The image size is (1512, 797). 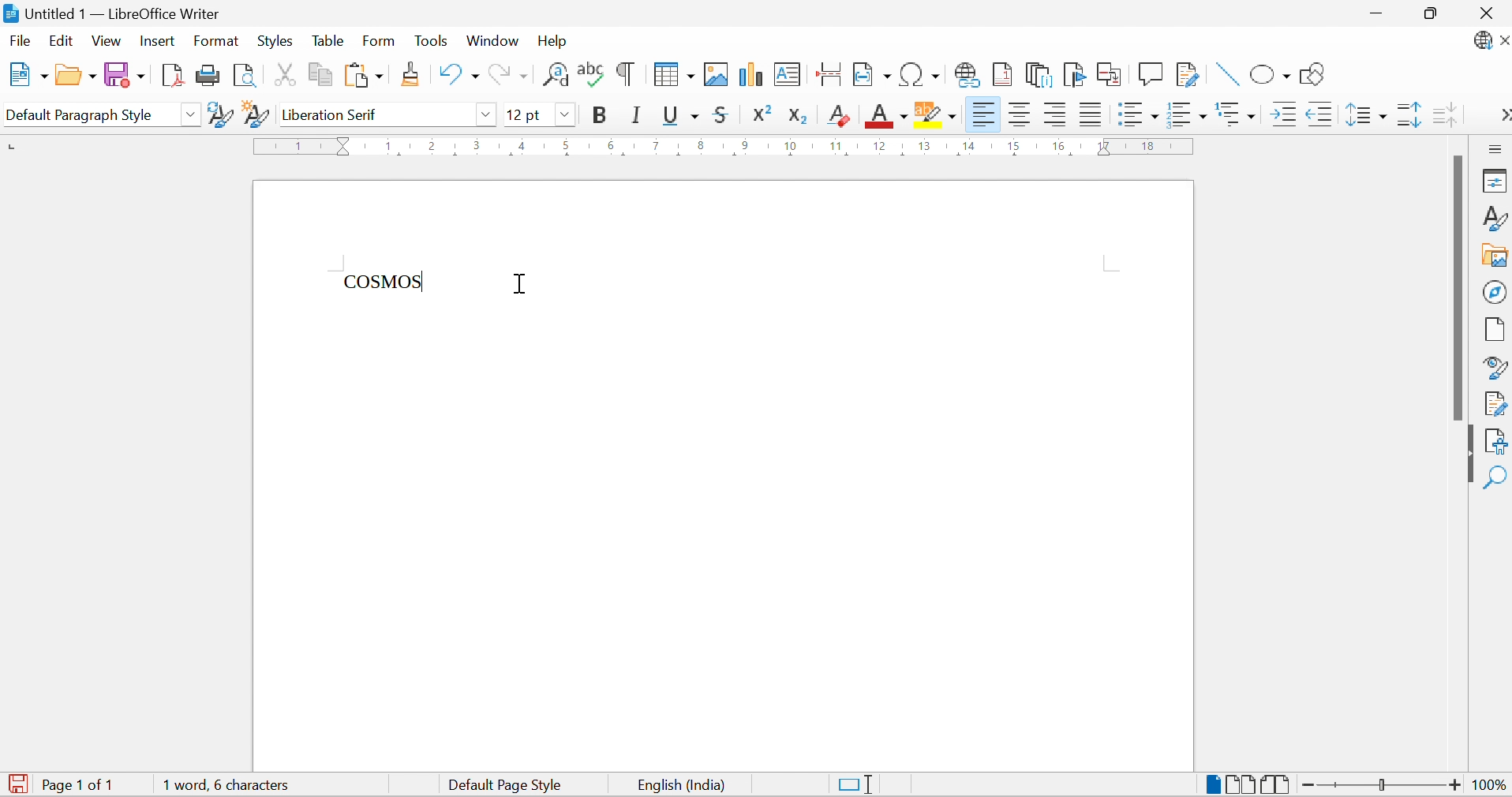 I want to click on More, so click(x=1501, y=113).